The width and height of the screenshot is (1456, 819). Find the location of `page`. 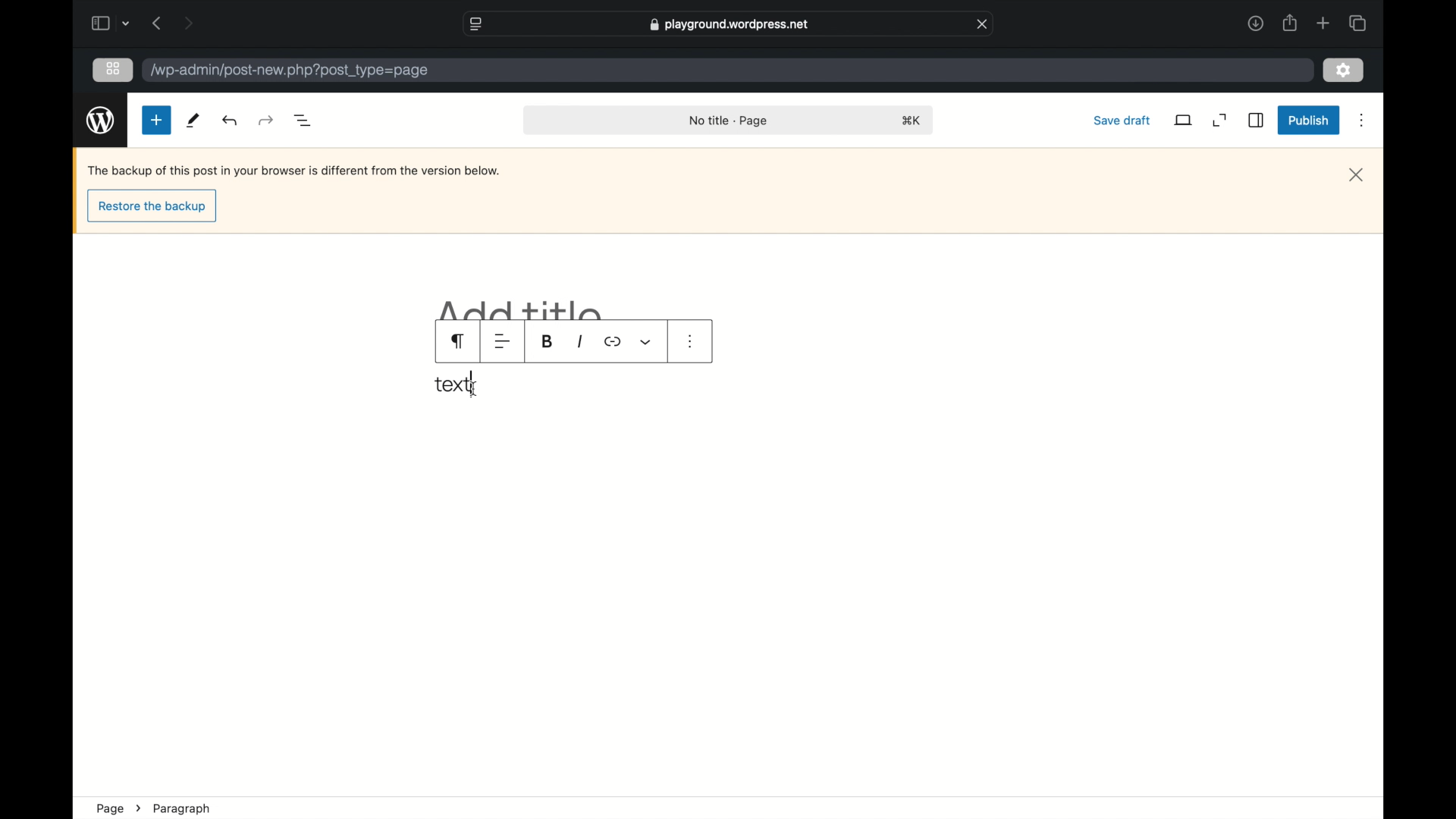

page is located at coordinates (109, 808).